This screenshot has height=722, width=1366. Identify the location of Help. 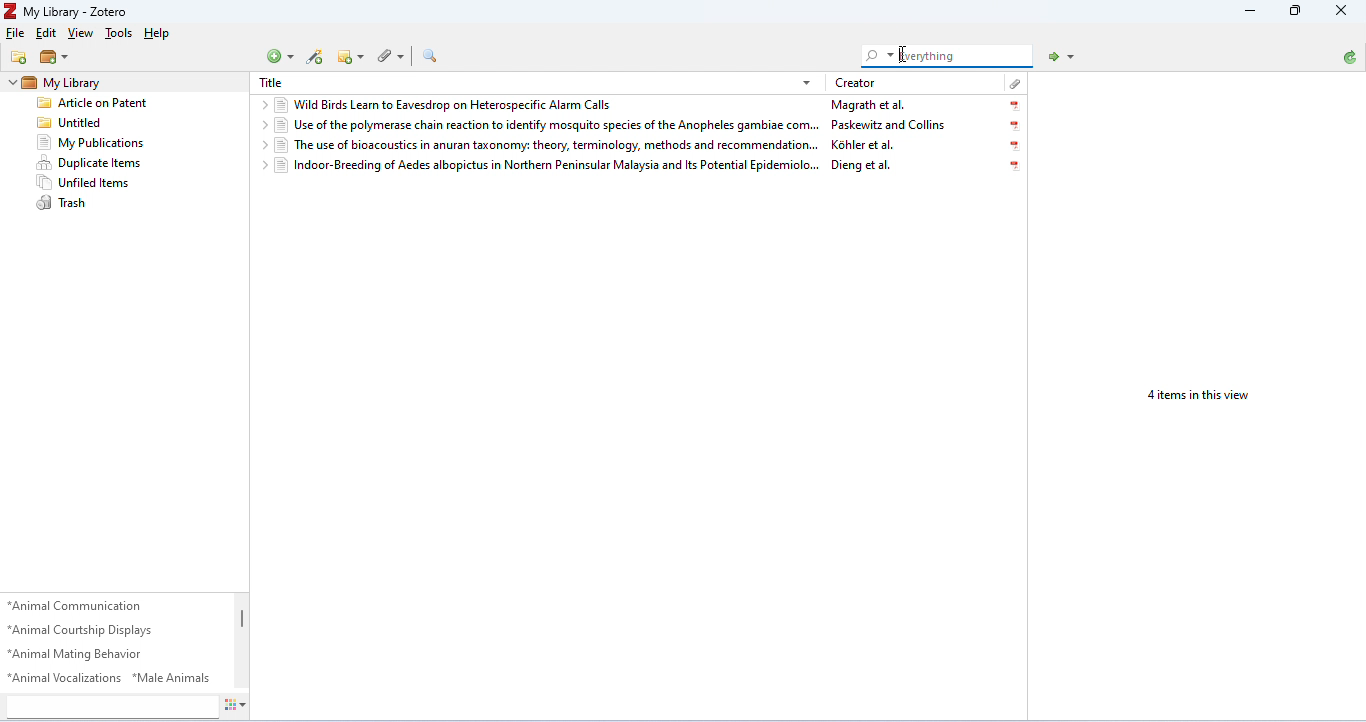
(161, 32).